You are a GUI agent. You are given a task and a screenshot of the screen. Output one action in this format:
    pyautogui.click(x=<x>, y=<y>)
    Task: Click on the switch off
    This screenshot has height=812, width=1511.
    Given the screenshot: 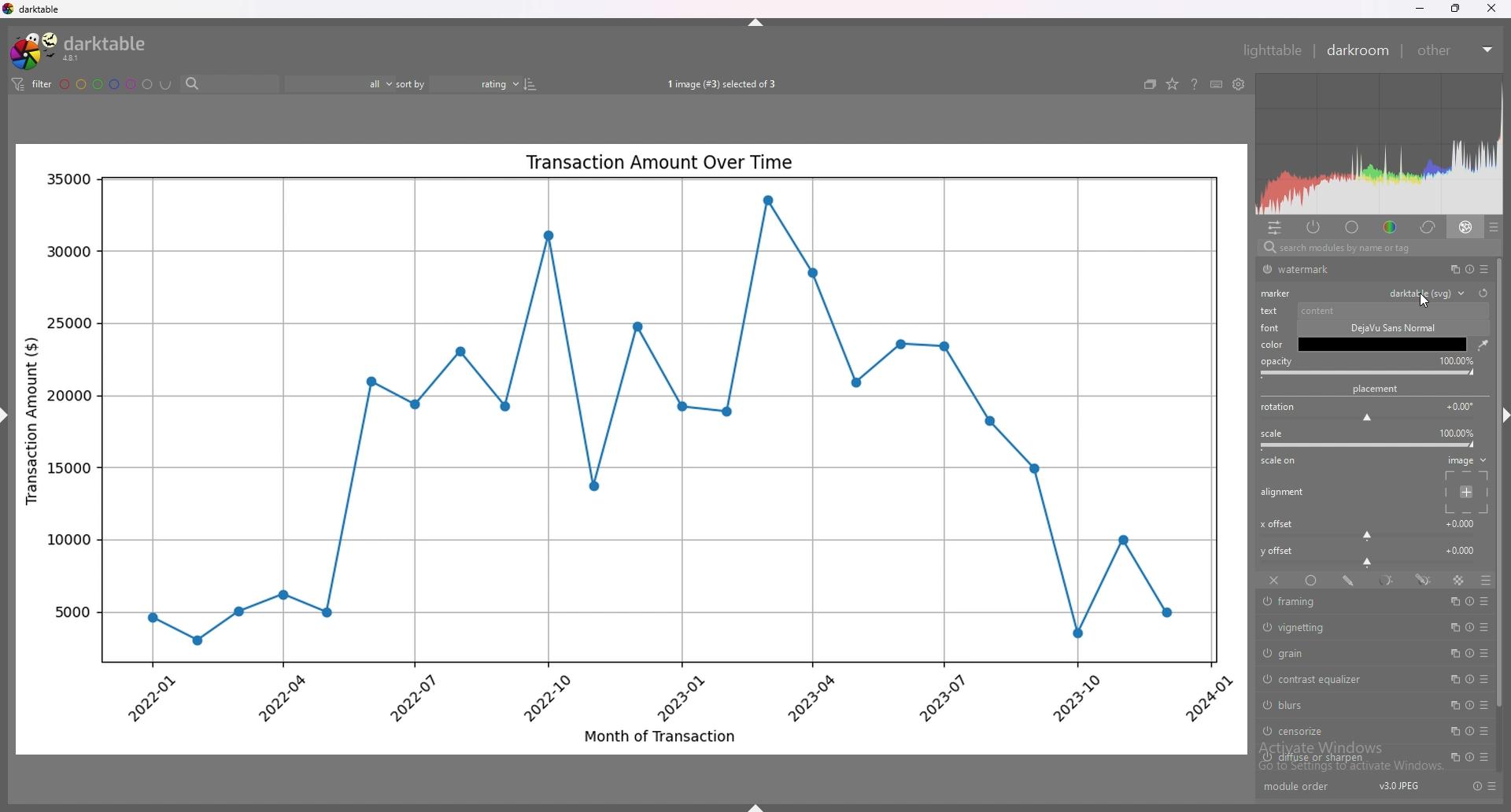 What is the action you would take?
    pyautogui.click(x=1266, y=603)
    